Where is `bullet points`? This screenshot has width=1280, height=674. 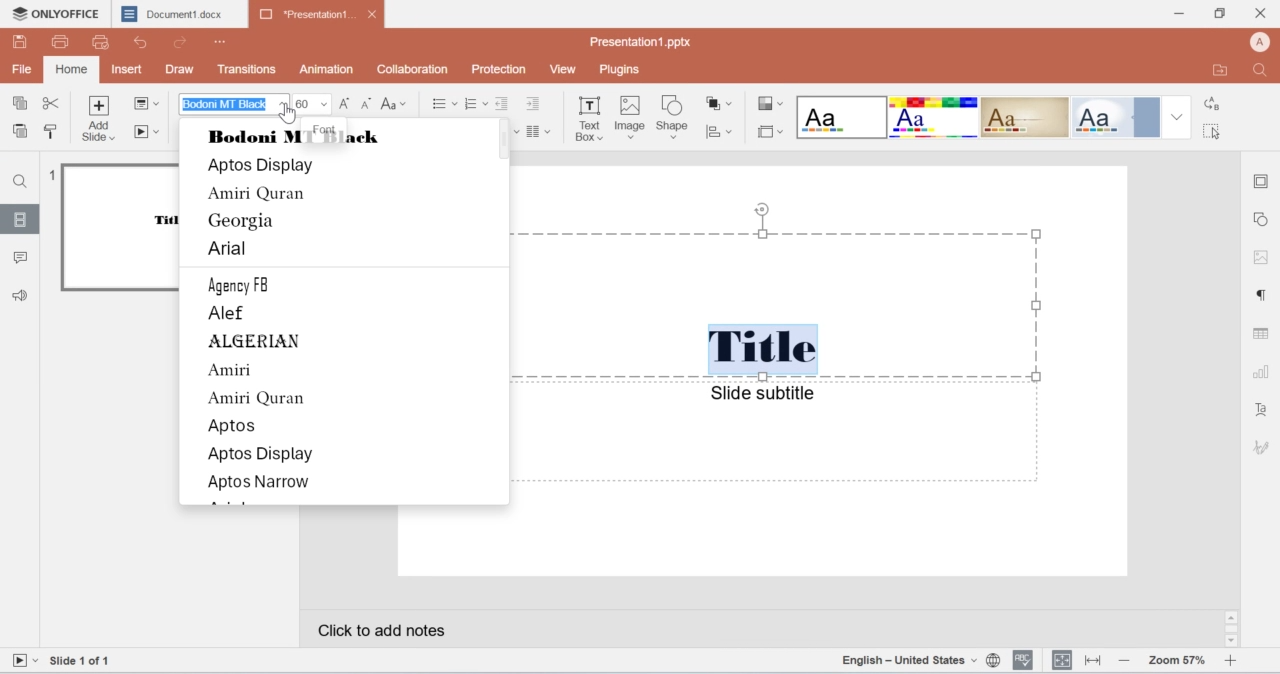
bullet points is located at coordinates (438, 104).